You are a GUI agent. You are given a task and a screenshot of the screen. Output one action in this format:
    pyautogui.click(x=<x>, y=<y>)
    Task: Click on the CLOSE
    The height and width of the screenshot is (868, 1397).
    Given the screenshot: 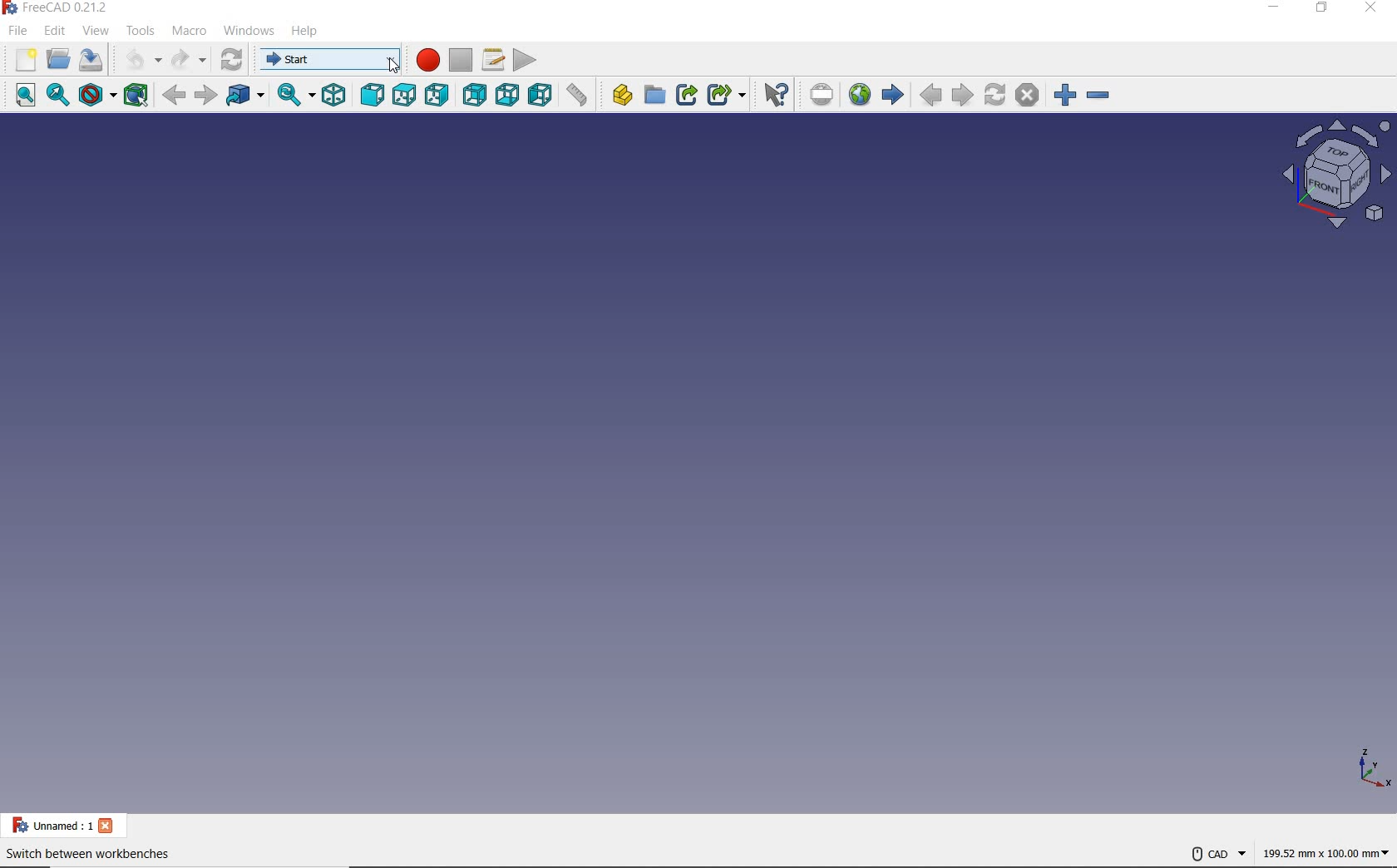 What is the action you would take?
    pyautogui.click(x=1374, y=11)
    